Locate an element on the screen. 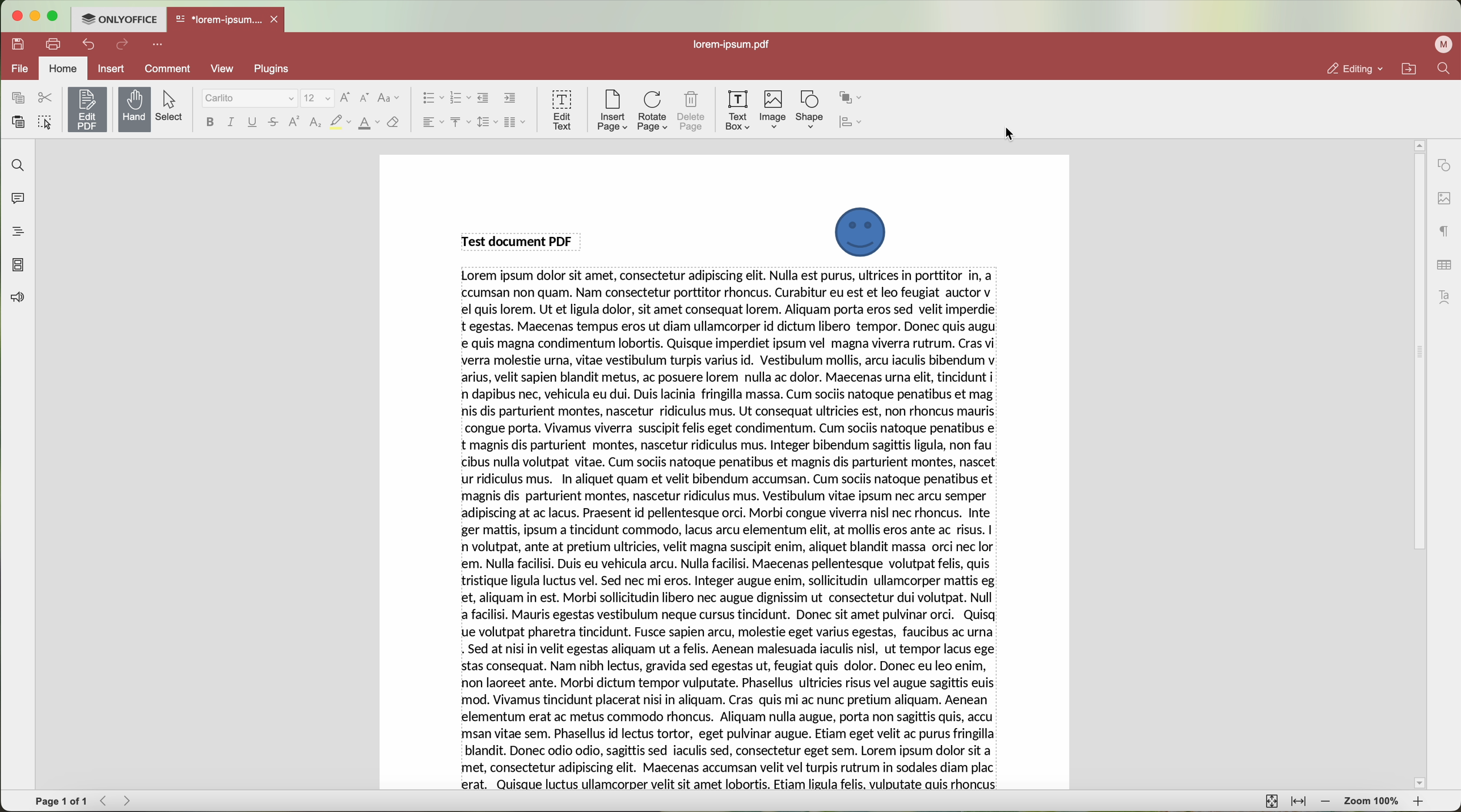 The image size is (1461, 812). size font is located at coordinates (319, 98).